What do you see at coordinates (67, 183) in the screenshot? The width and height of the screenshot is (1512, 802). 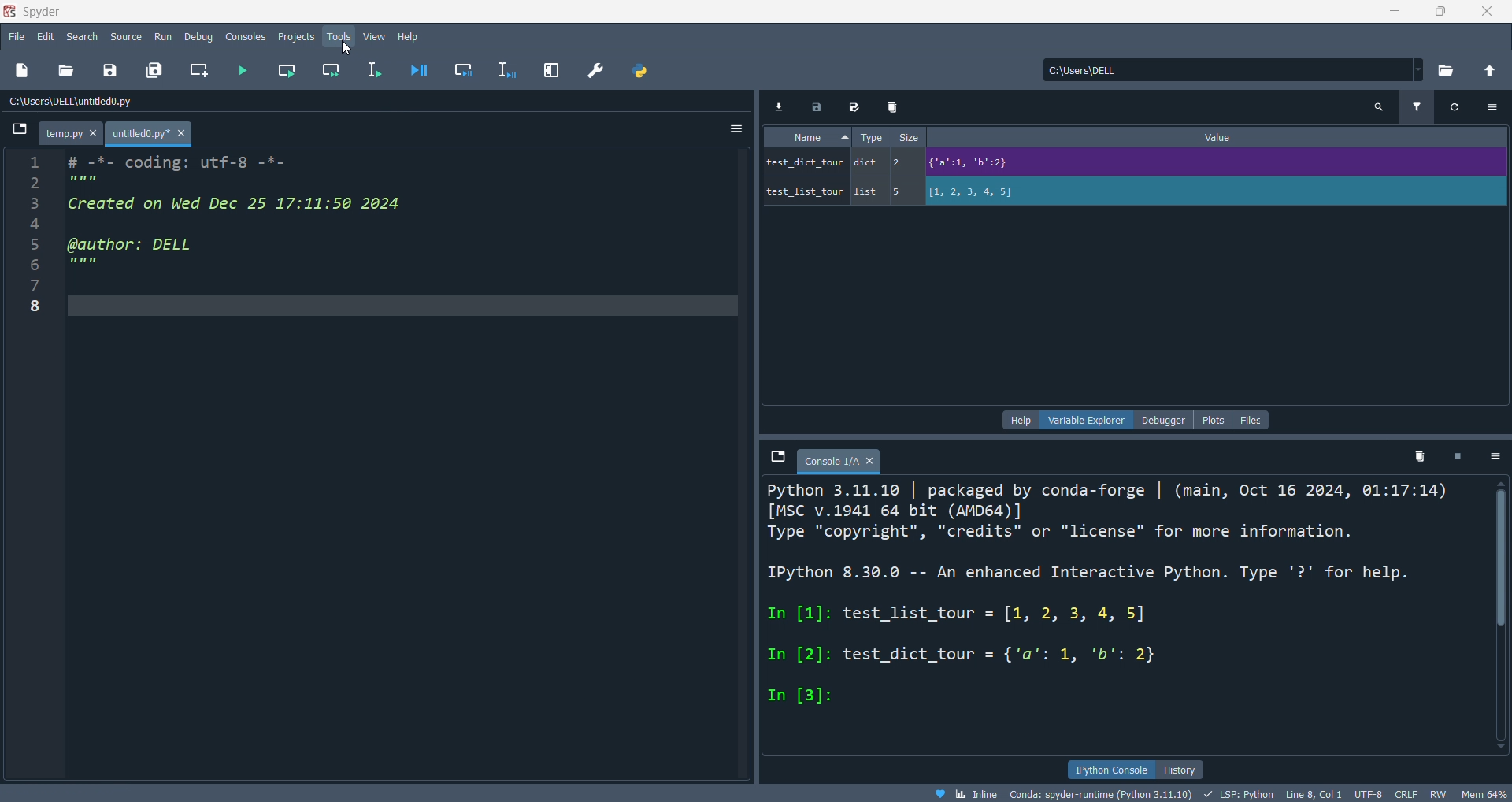 I see `2 ''''''` at bounding box center [67, 183].